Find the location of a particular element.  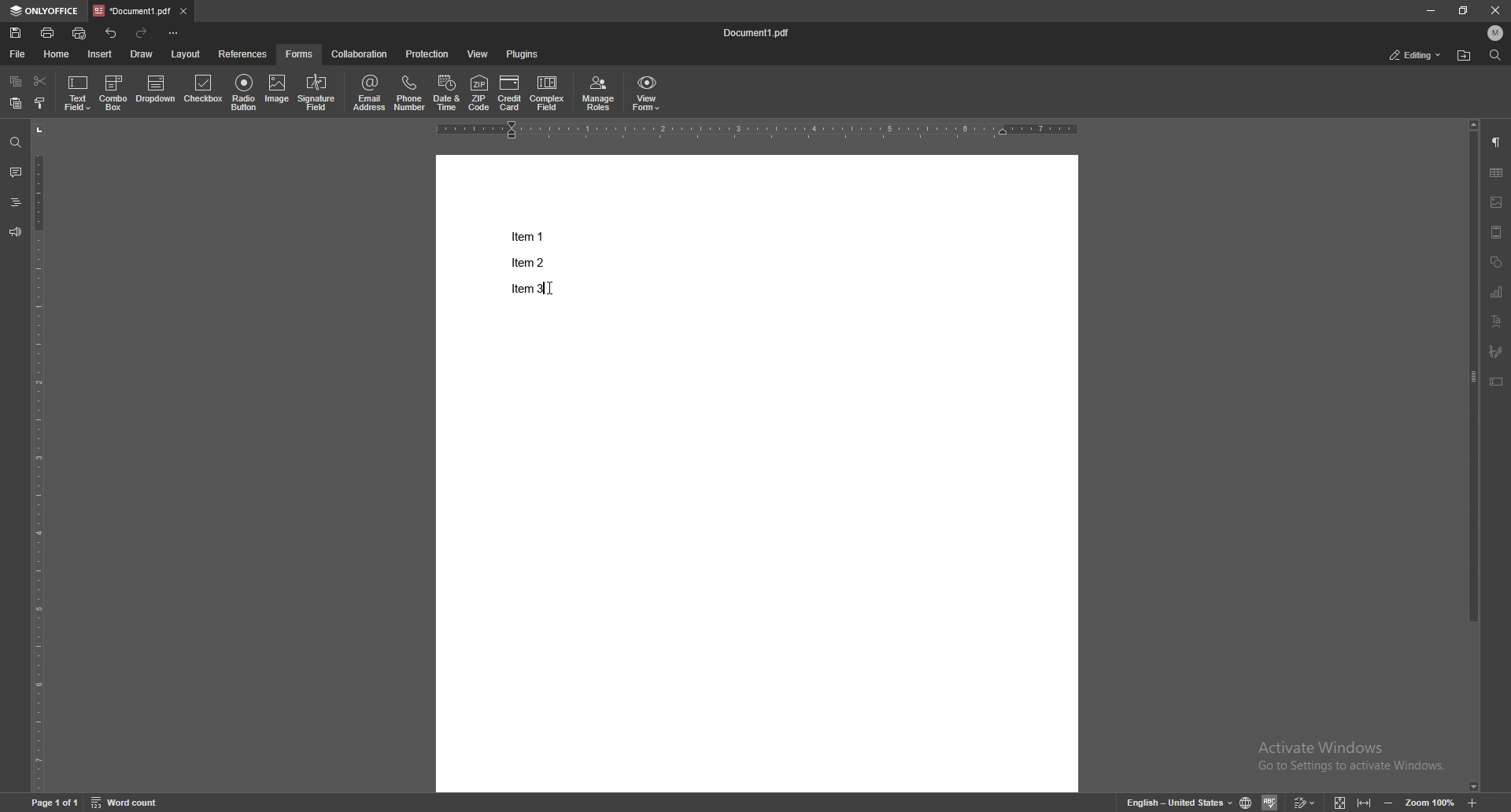

fit to screen is located at coordinates (1340, 801).